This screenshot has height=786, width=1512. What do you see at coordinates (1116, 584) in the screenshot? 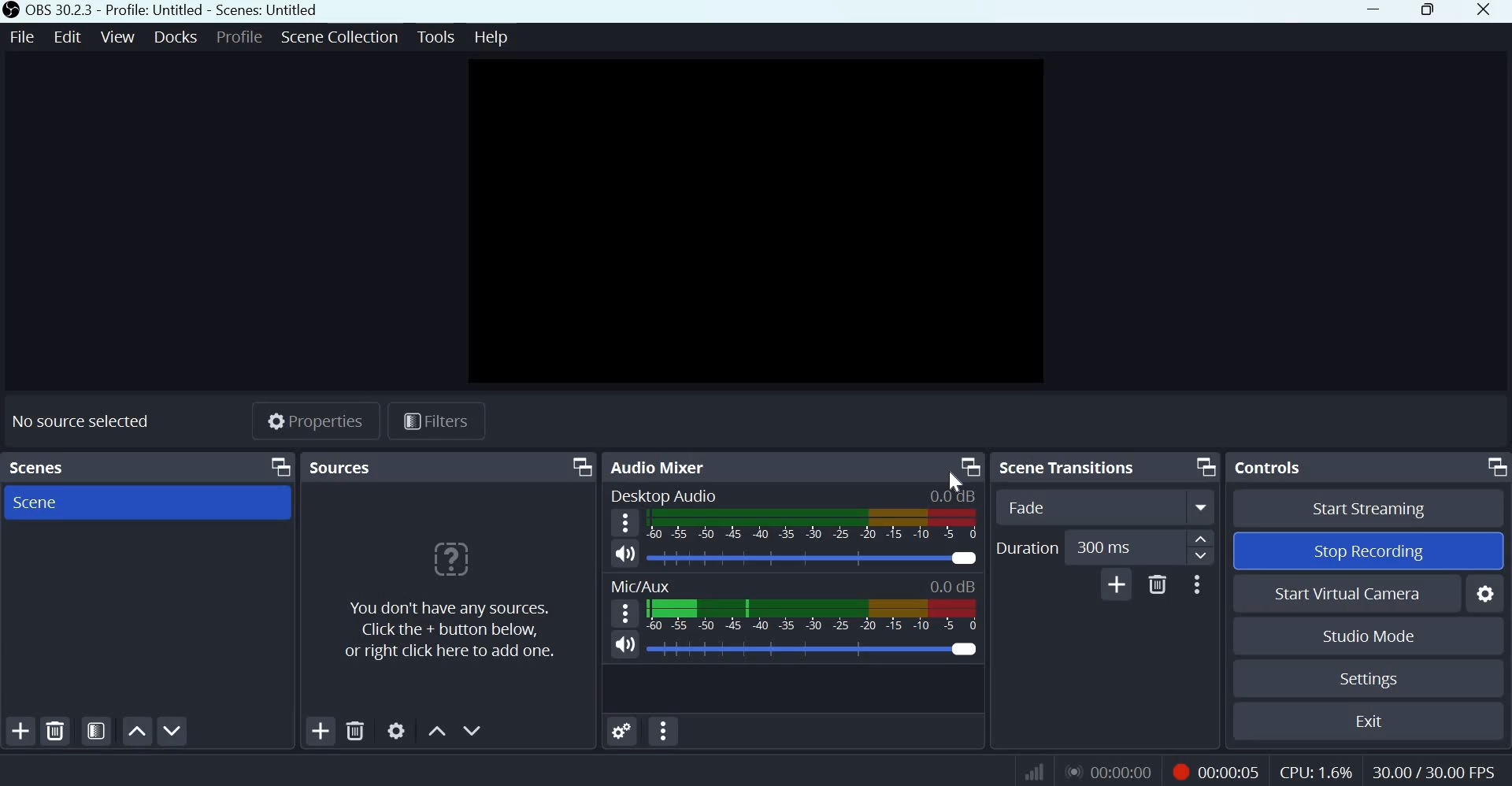
I see `Add Transition` at bounding box center [1116, 584].